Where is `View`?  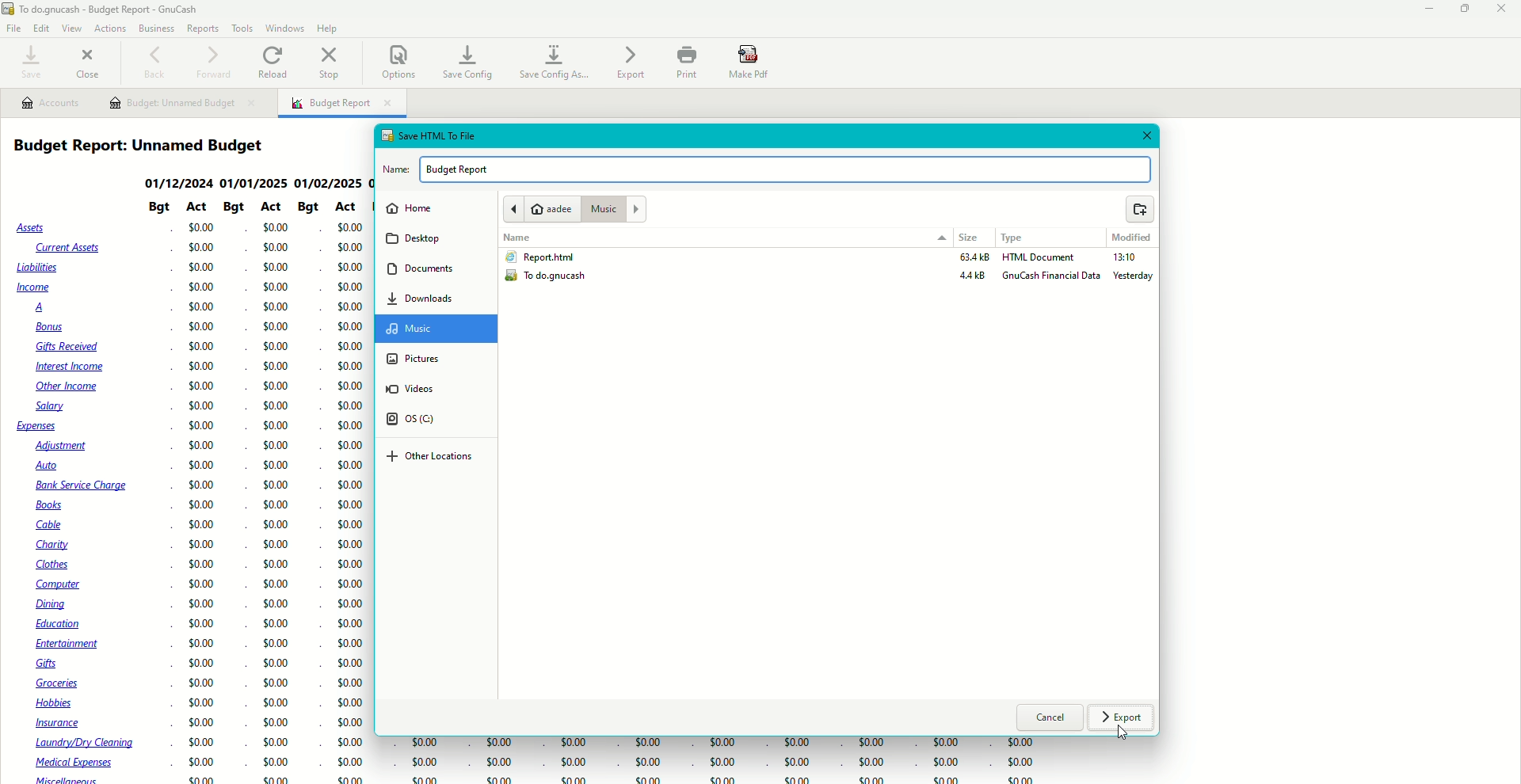
View is located at coordinates (71, 29).